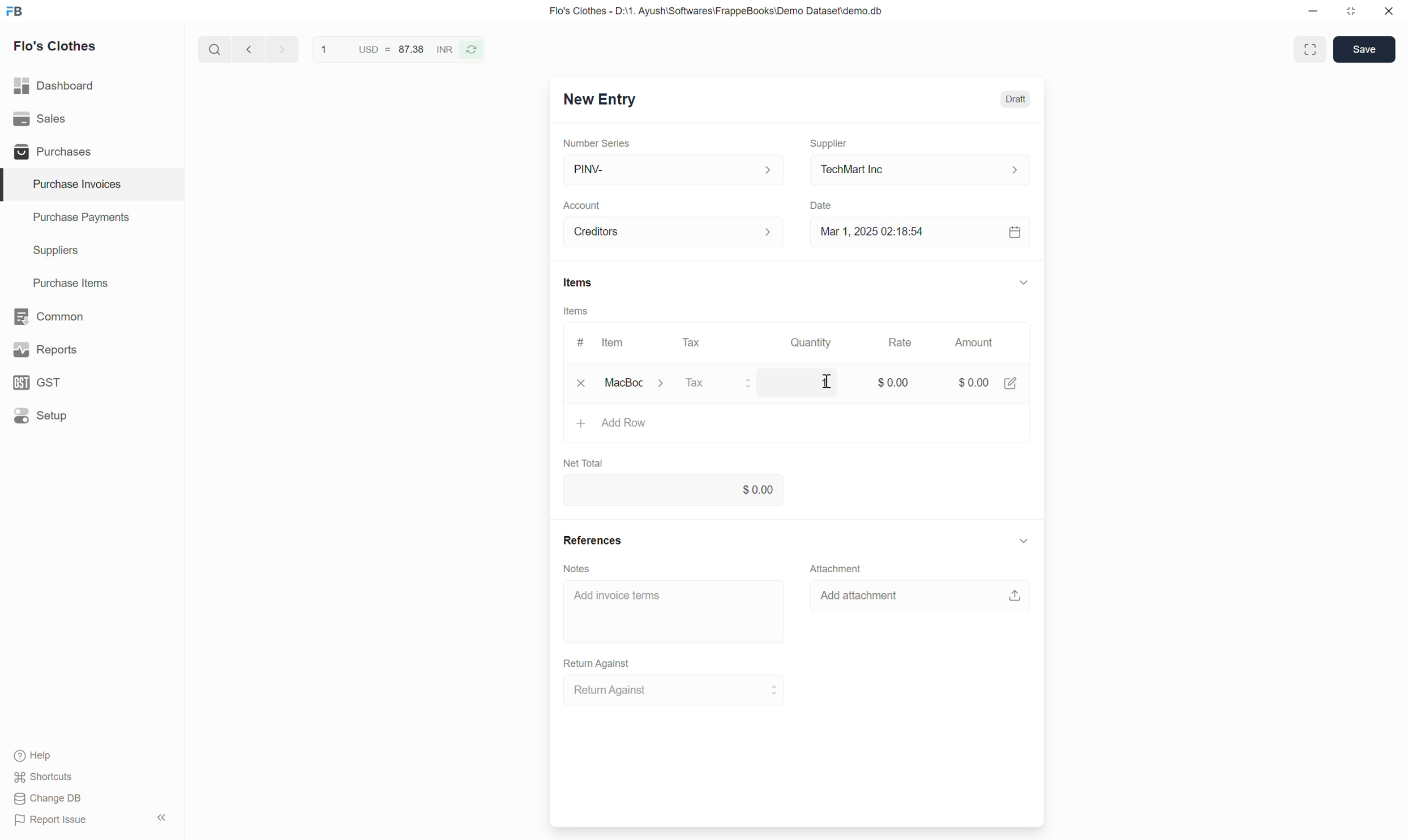 The width and height of the screenshot is (1408, 840). What do you see at coordinates (695, 342) in the screenshot?
I see `Tax` at bounding box center [695, 342].